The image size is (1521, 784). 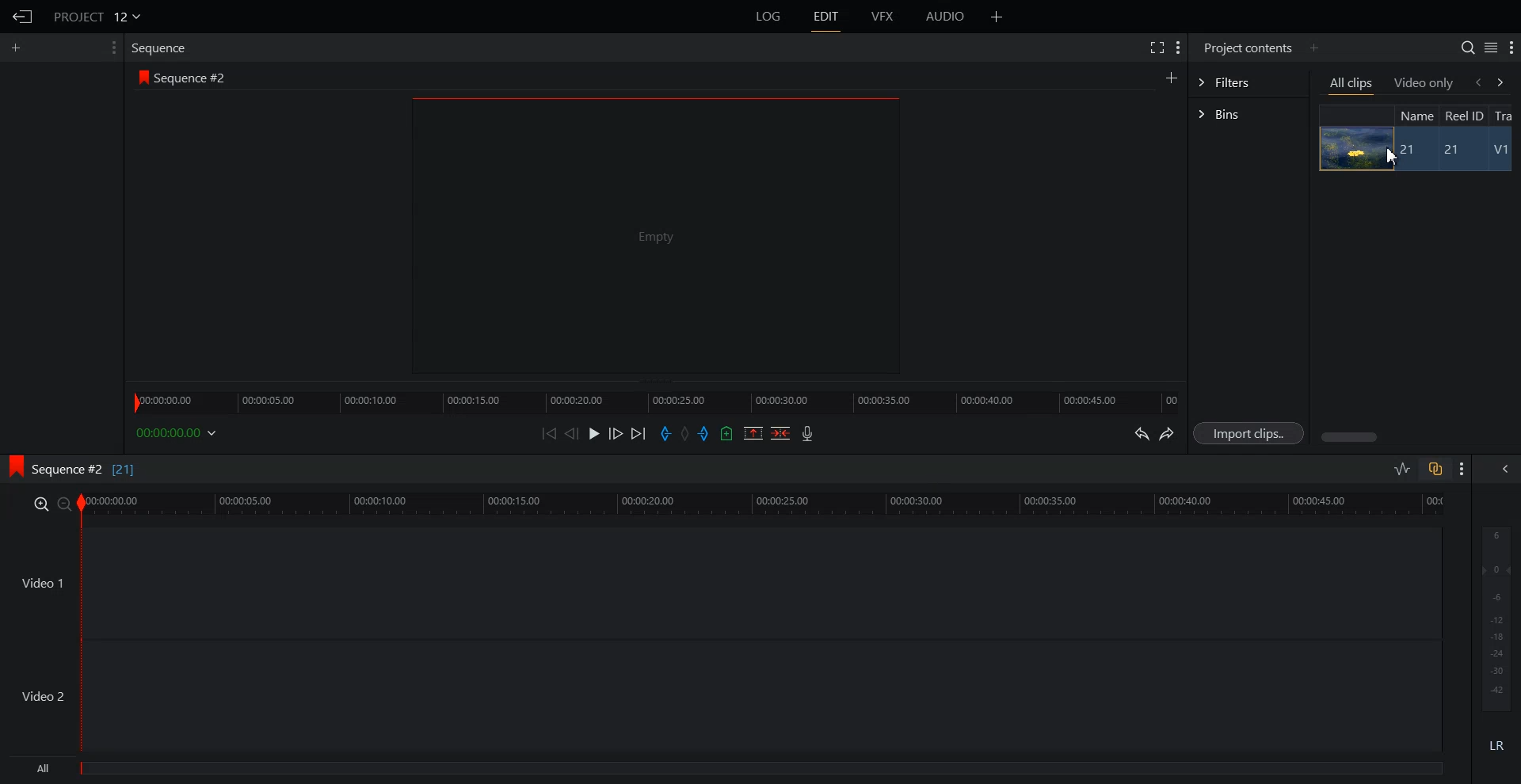 What do you see at coordinates (112, 48) in the screenshot?
I see `Show setting menu` at bounding box center [112, 48].